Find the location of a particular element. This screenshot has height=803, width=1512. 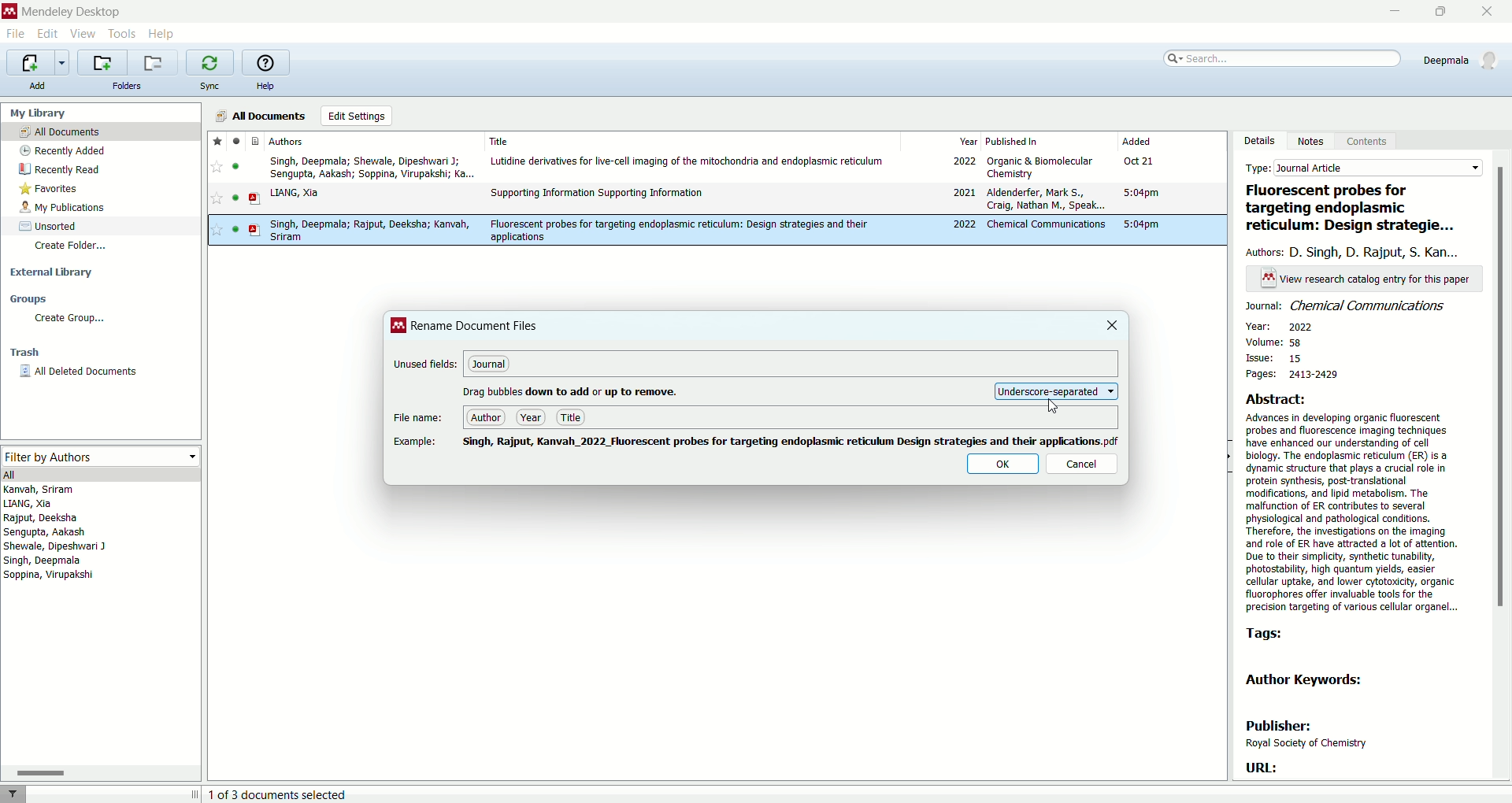

title is located at coordinates (1354, 209).